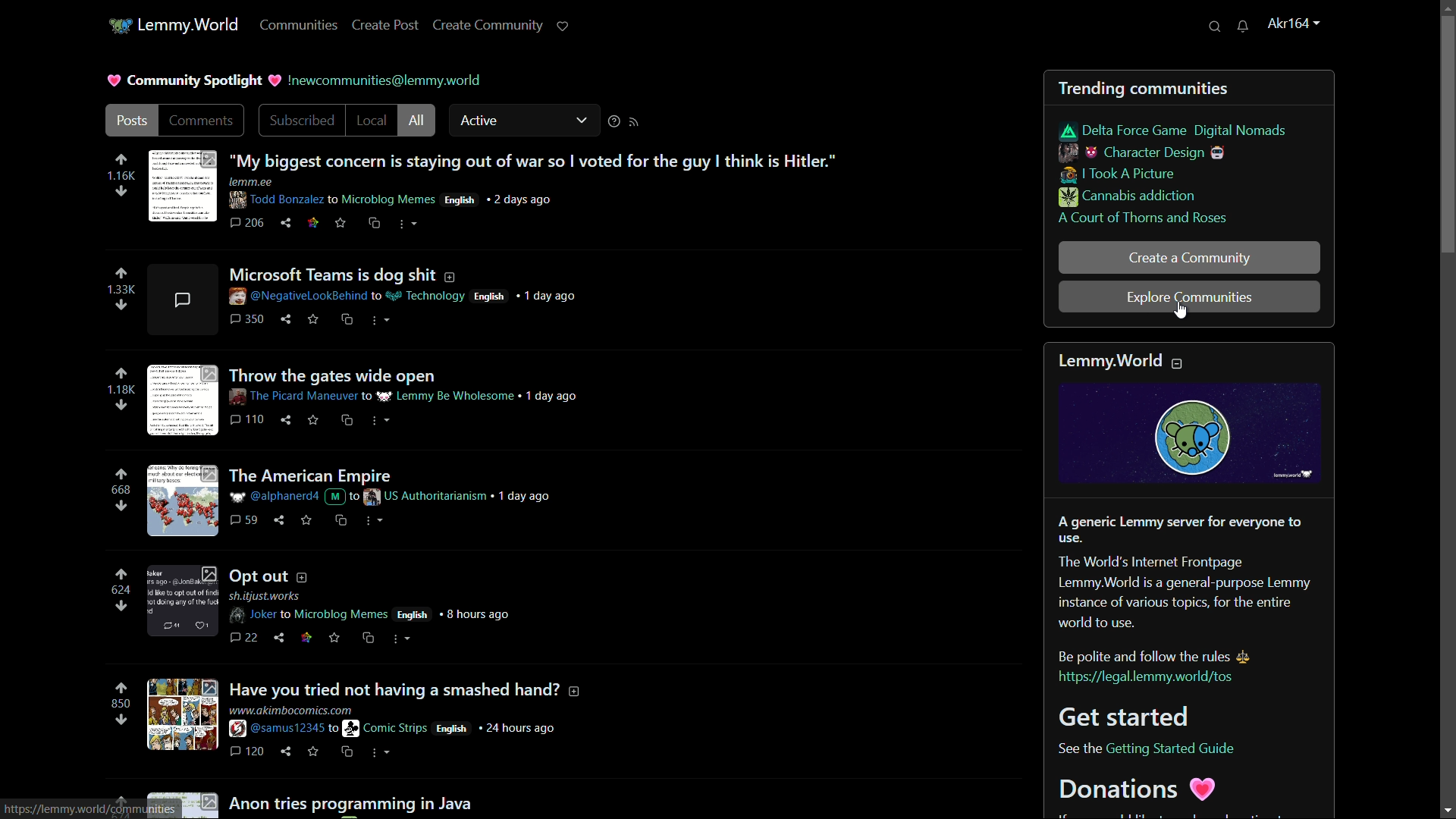 Image resolution: width=1456 pixels, height=819 pixels. I want to click on cannabis addiction, so click(1127, 199).